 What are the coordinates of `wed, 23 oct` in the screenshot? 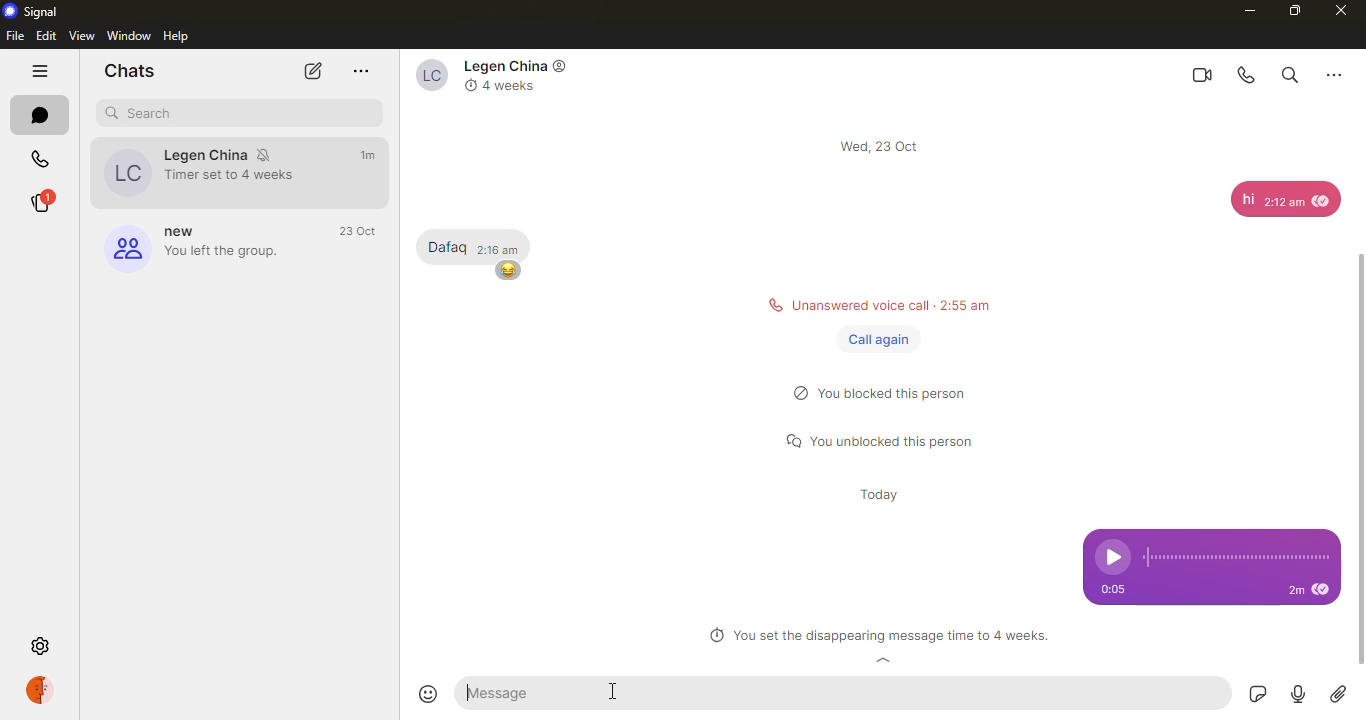 It's located at (883, 146).